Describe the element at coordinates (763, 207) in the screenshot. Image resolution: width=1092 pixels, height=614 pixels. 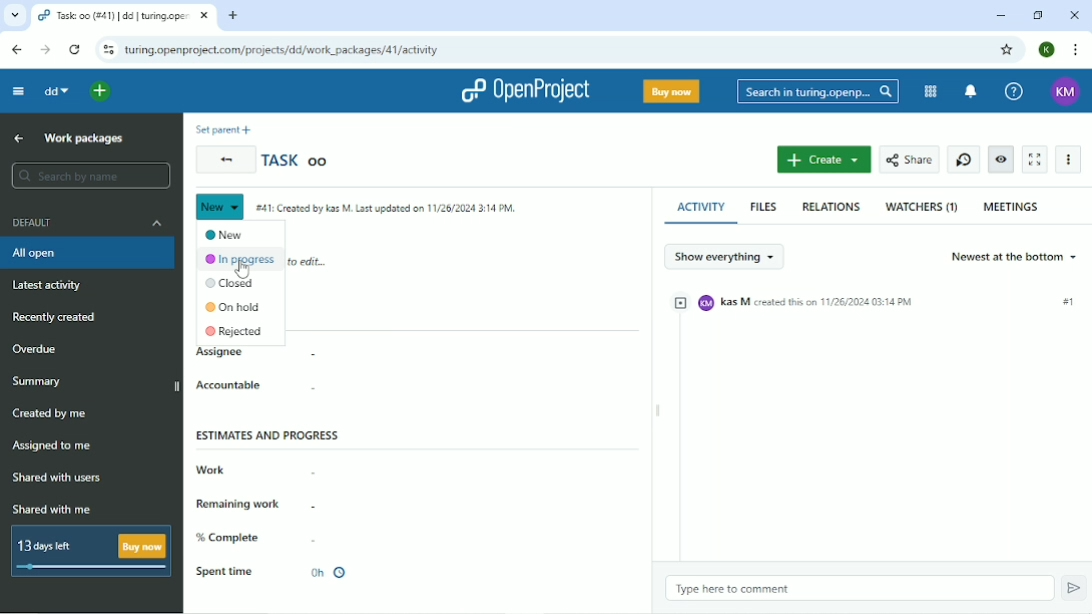
I see `FILES` at that location.